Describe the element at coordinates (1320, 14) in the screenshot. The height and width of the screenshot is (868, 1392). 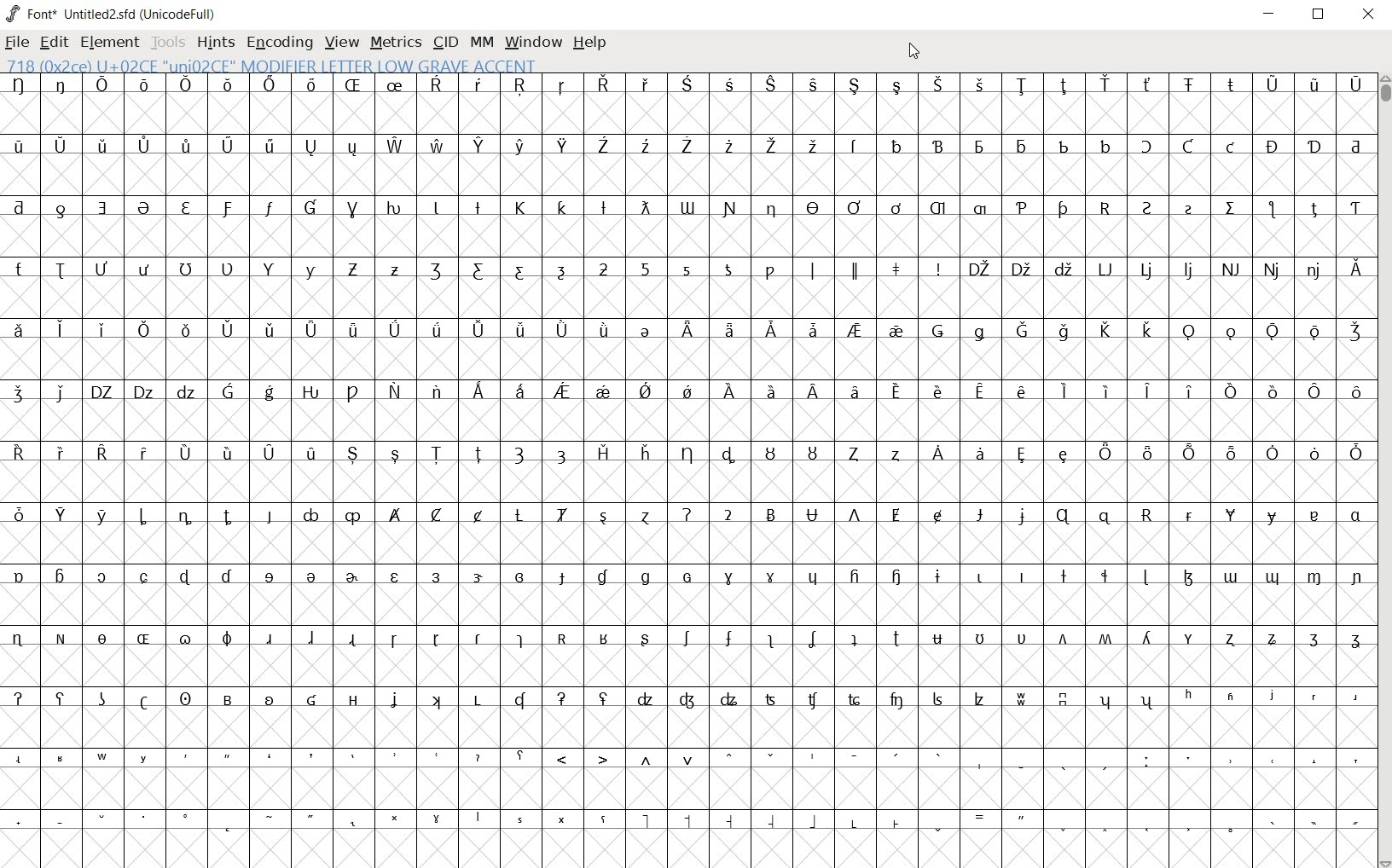
I see `restore` at that location.